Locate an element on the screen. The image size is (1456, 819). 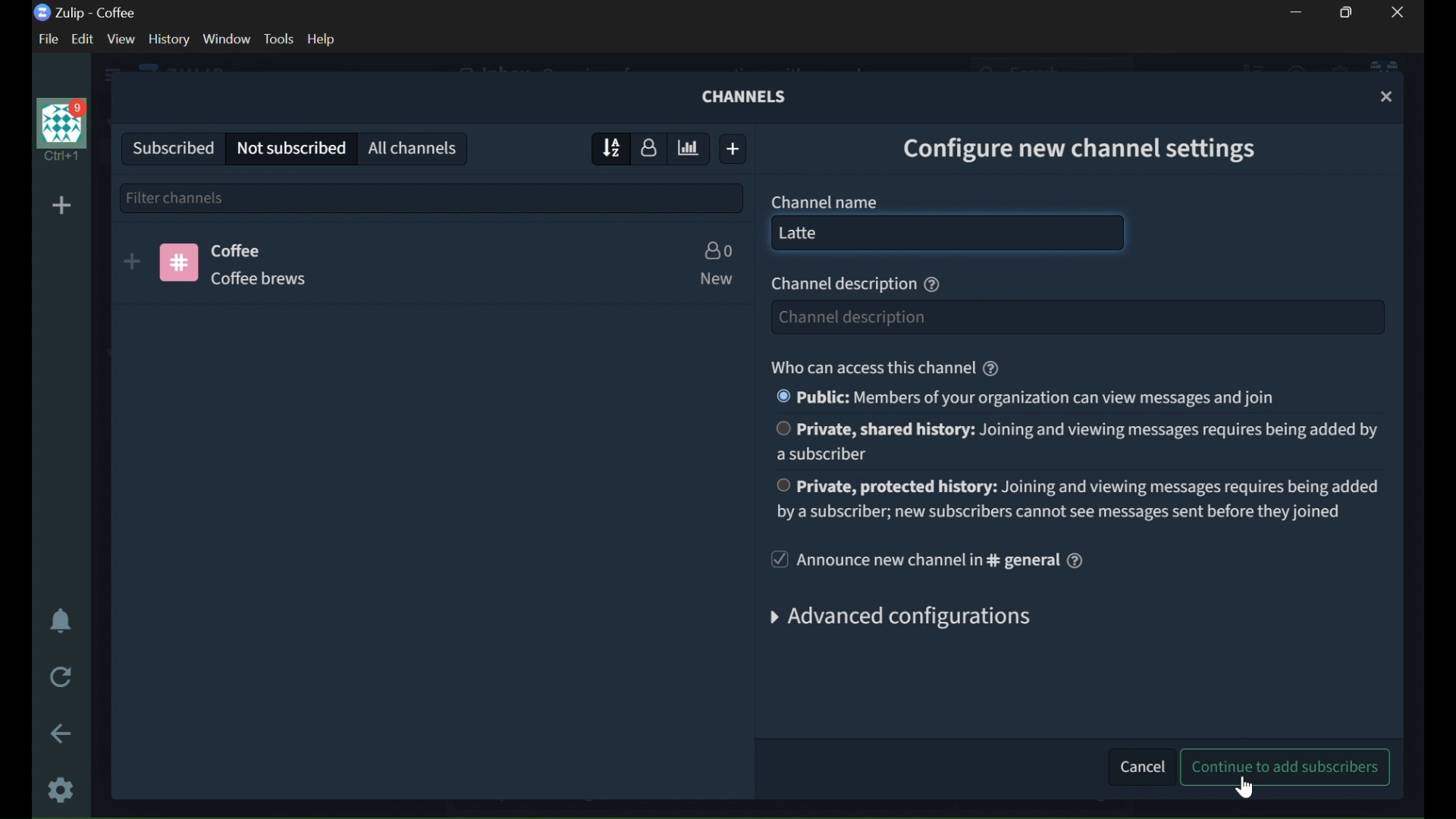
TOOLS is located at coordinates (278, 39).